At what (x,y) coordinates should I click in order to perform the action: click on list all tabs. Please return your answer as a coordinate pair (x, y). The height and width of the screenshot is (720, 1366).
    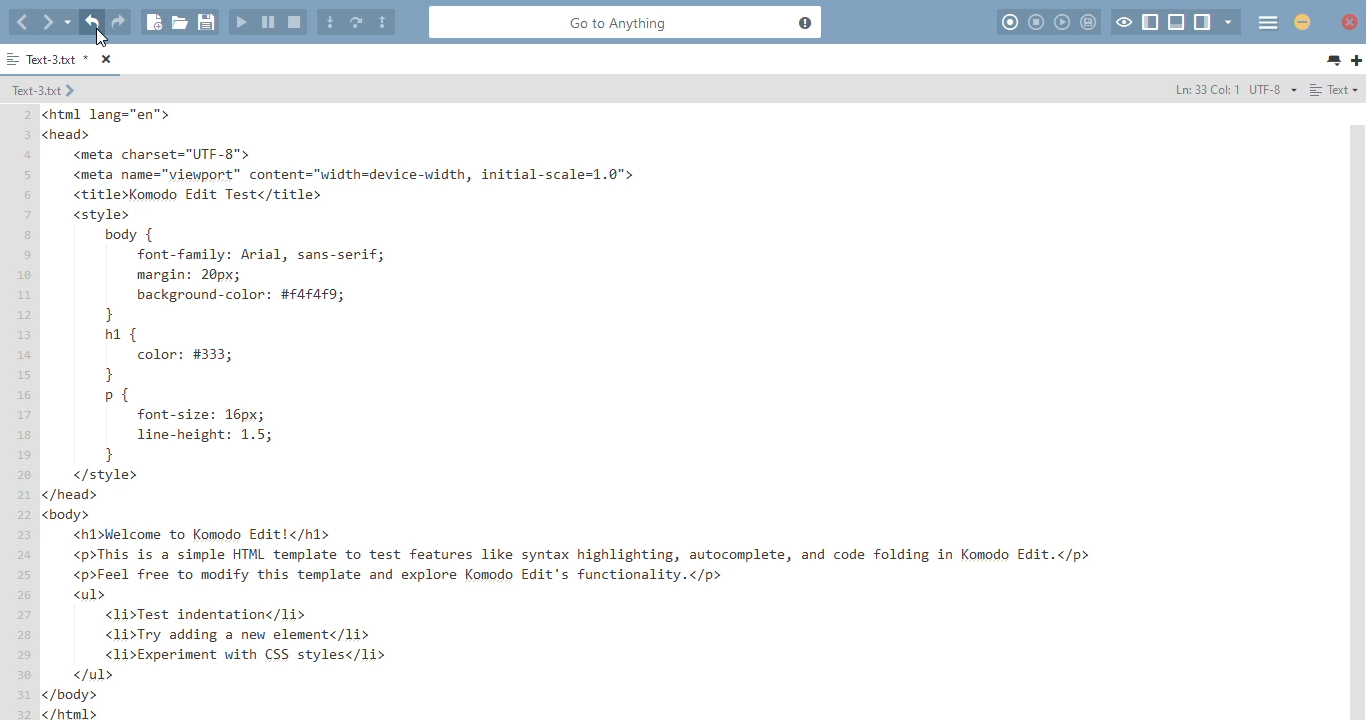
    Looking at the image, I should click on (1334, 61).